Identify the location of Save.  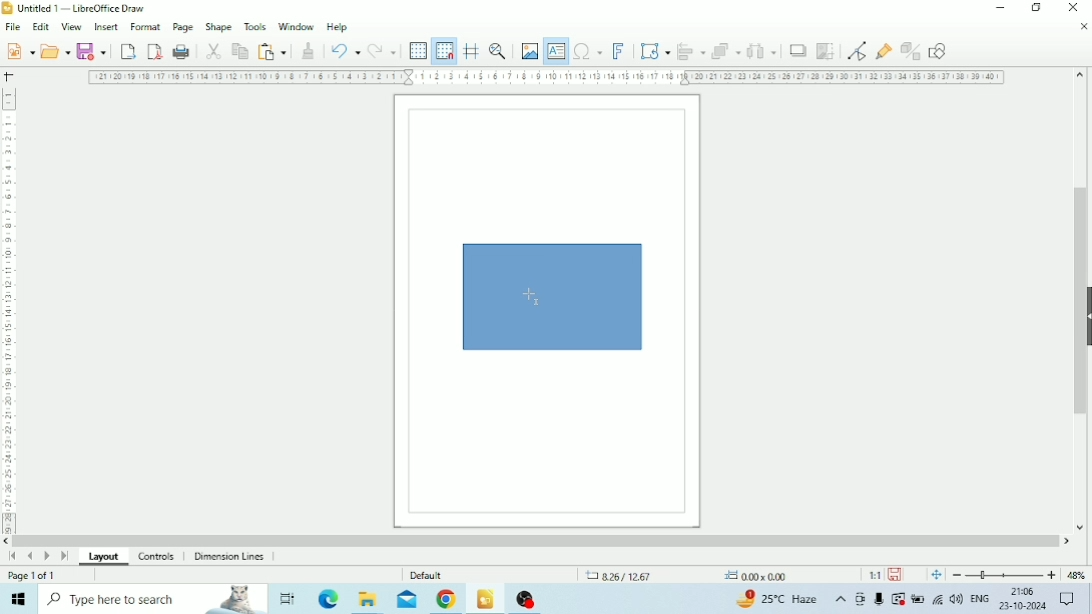
(92, 52).